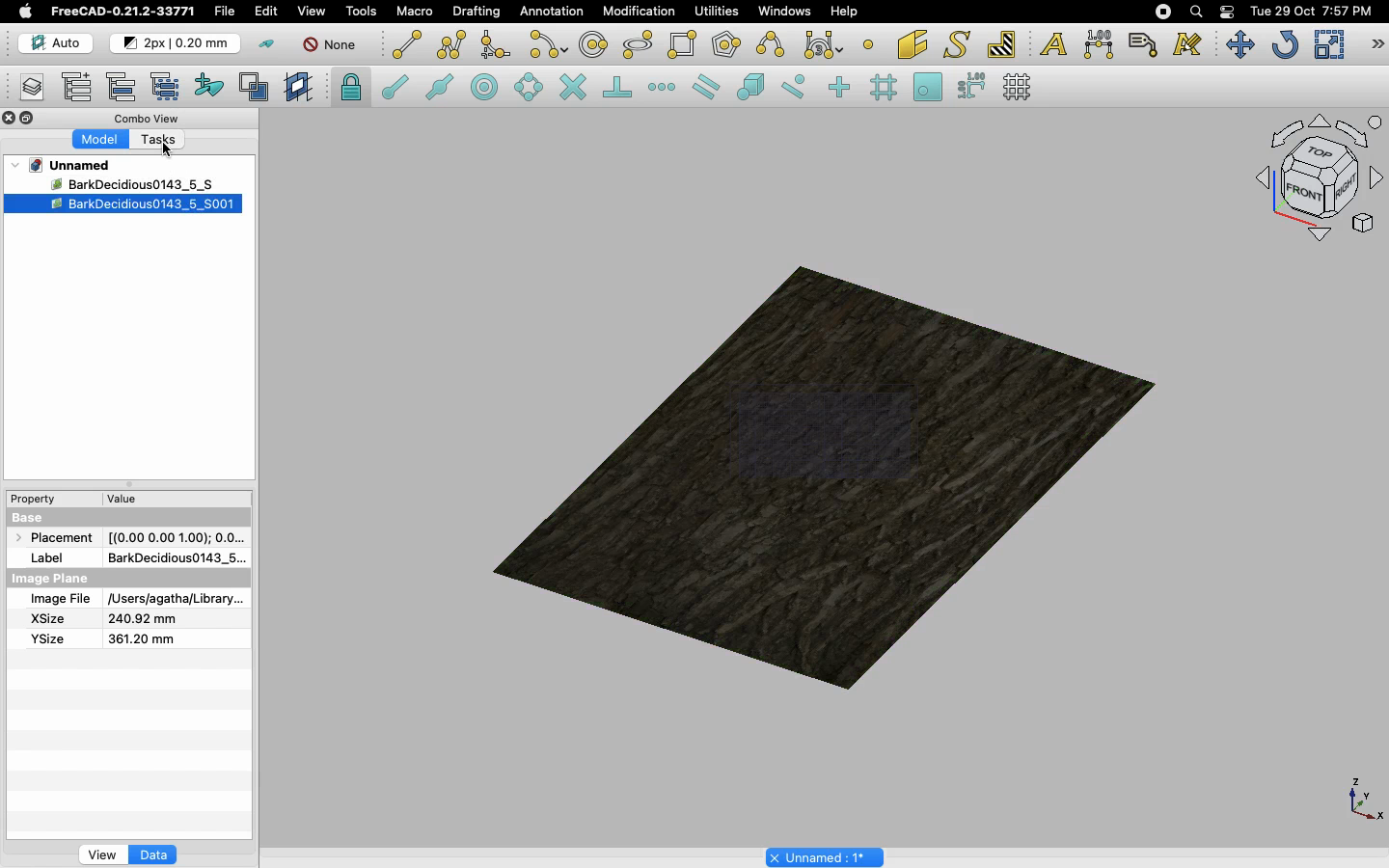 The height and width of the screenshot is (868, 1389). I want to click on Label, so click(1146, 44).